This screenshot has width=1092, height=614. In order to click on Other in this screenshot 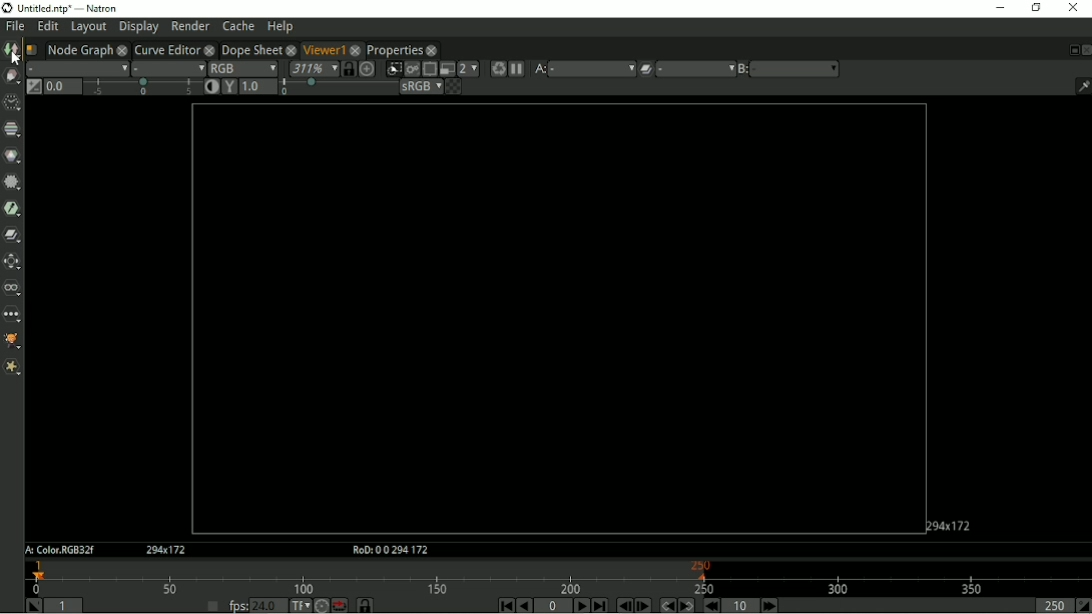, I will do `click(11, 315)`.